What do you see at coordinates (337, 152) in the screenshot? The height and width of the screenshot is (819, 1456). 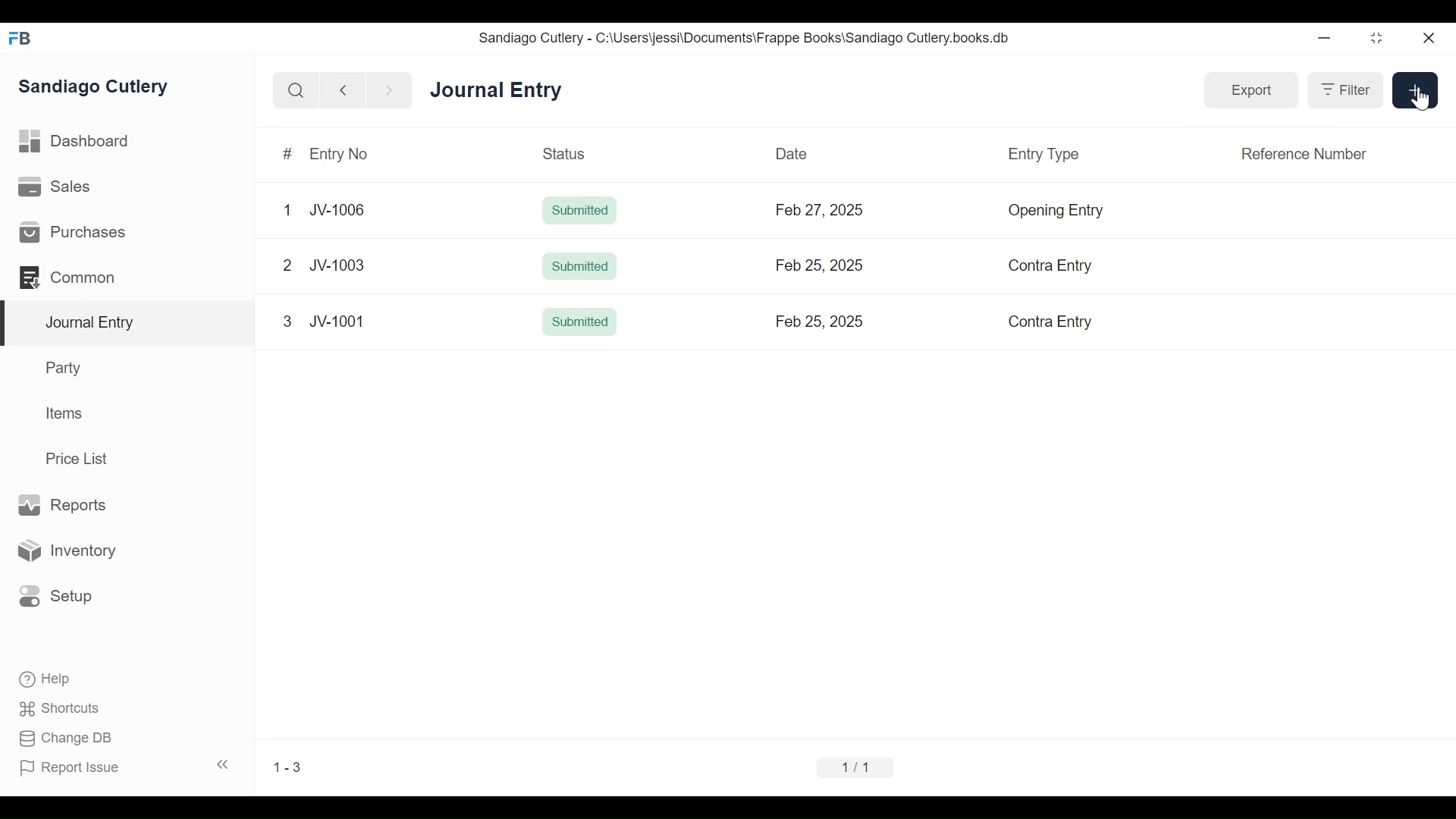 I see `Entry No` at bounding box center [337, 152].